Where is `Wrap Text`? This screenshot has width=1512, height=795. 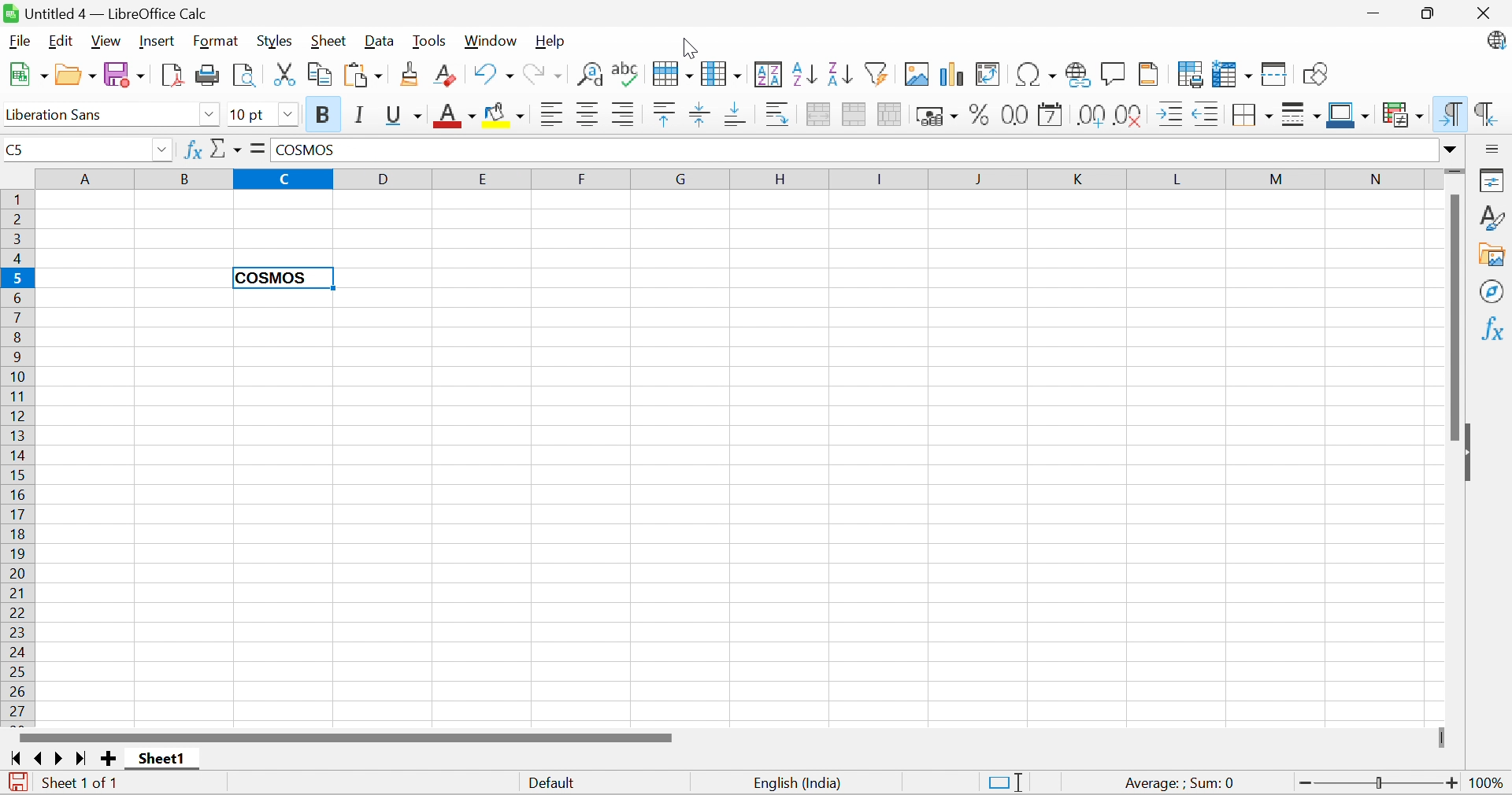 Wrap Text is located at coordinates (778, 113).